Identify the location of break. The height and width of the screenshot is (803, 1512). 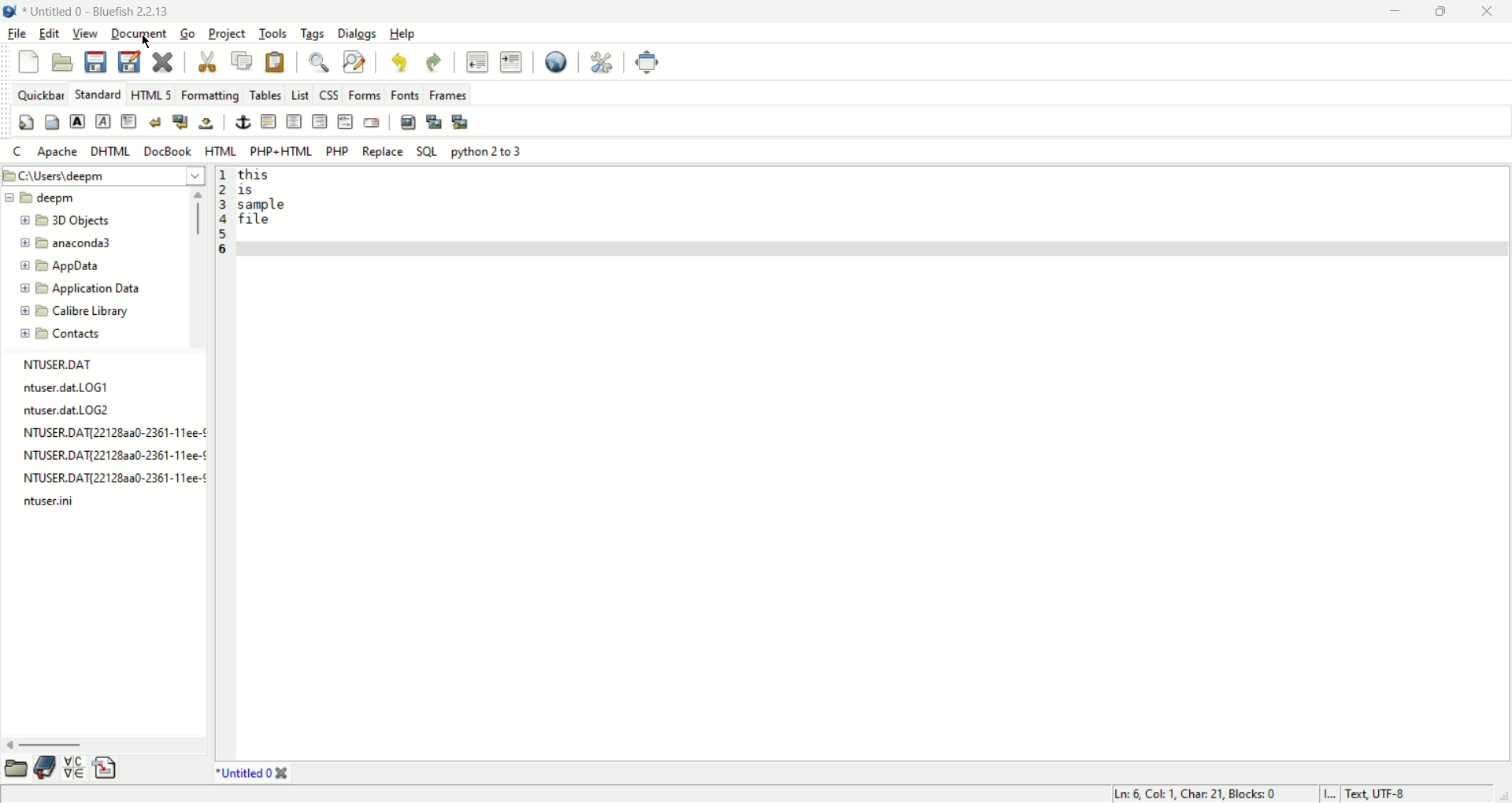
(156, 121).